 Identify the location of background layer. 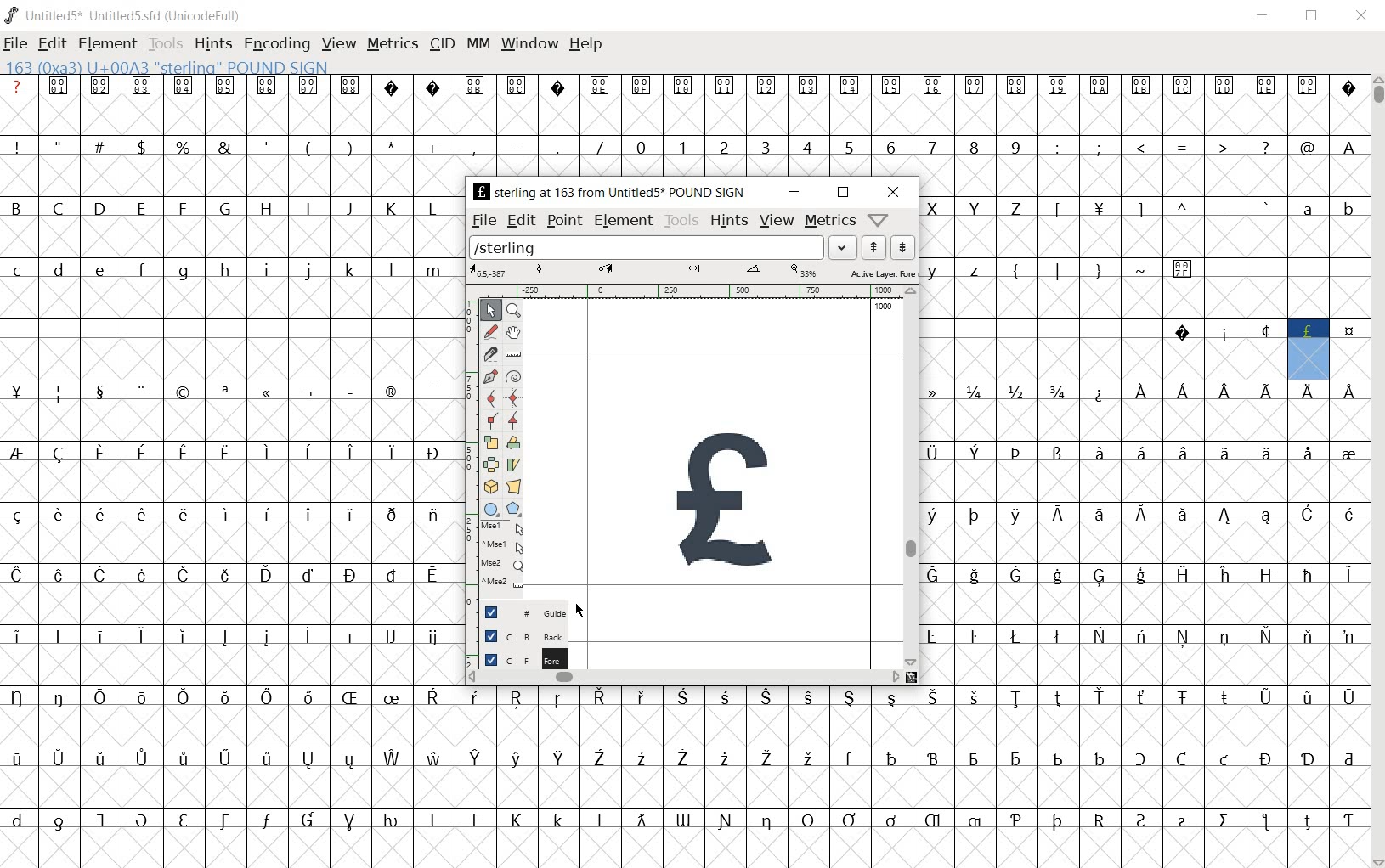
(522, 635).